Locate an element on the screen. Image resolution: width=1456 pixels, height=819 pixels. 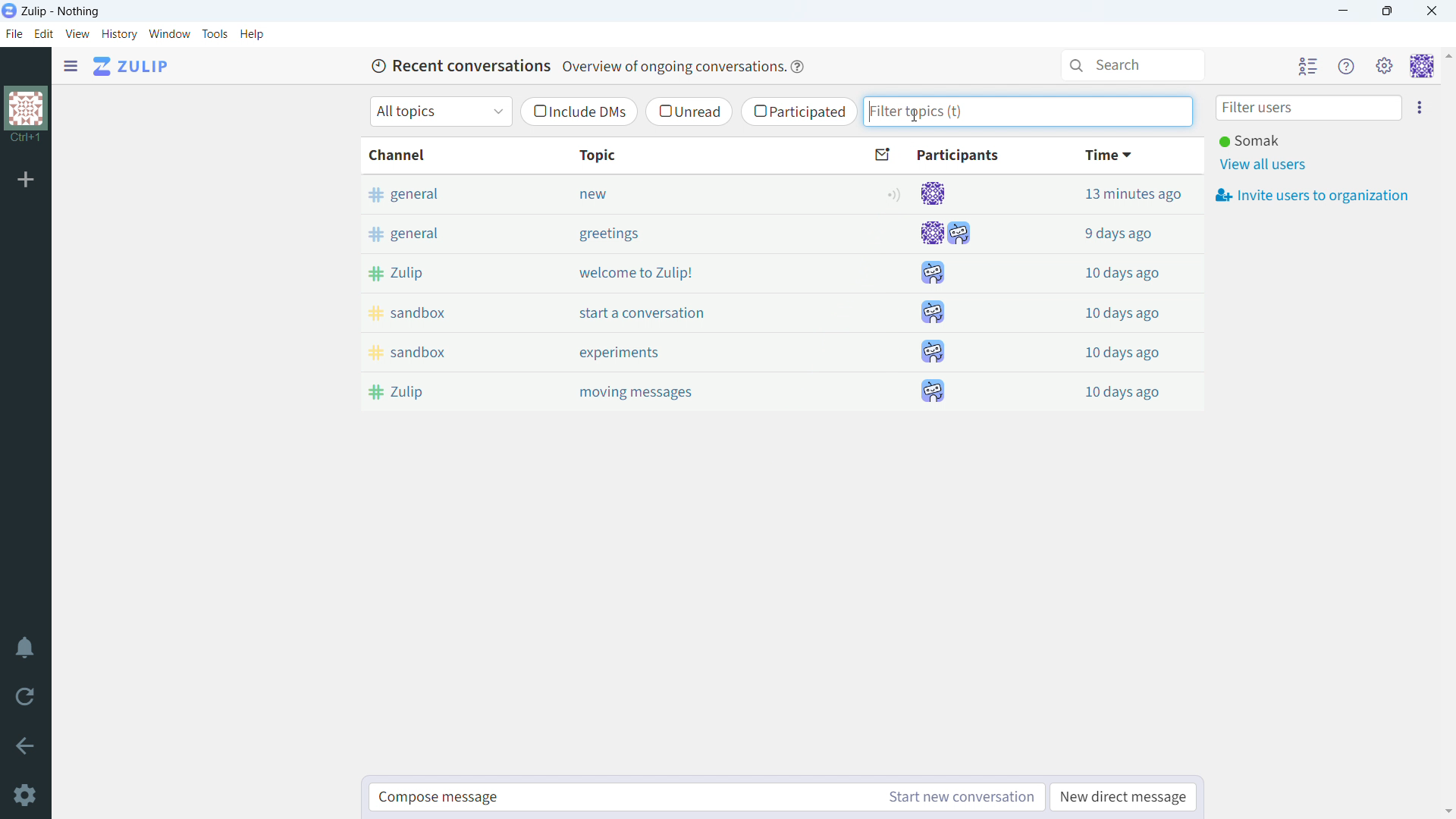
channel is located at coordinates (438, 155).